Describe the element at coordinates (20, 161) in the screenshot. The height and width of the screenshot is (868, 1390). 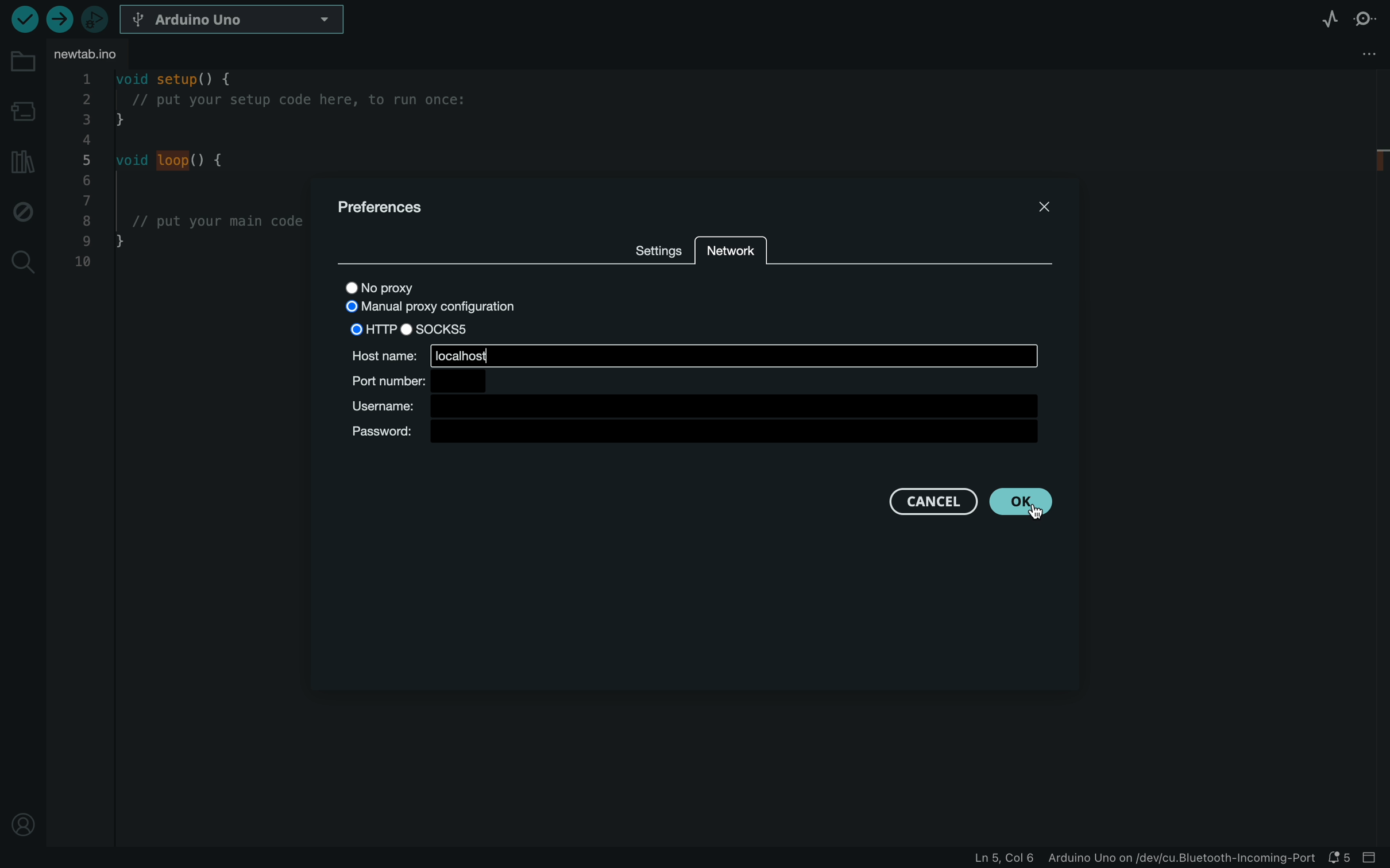
I see `libraries manager` at that location.